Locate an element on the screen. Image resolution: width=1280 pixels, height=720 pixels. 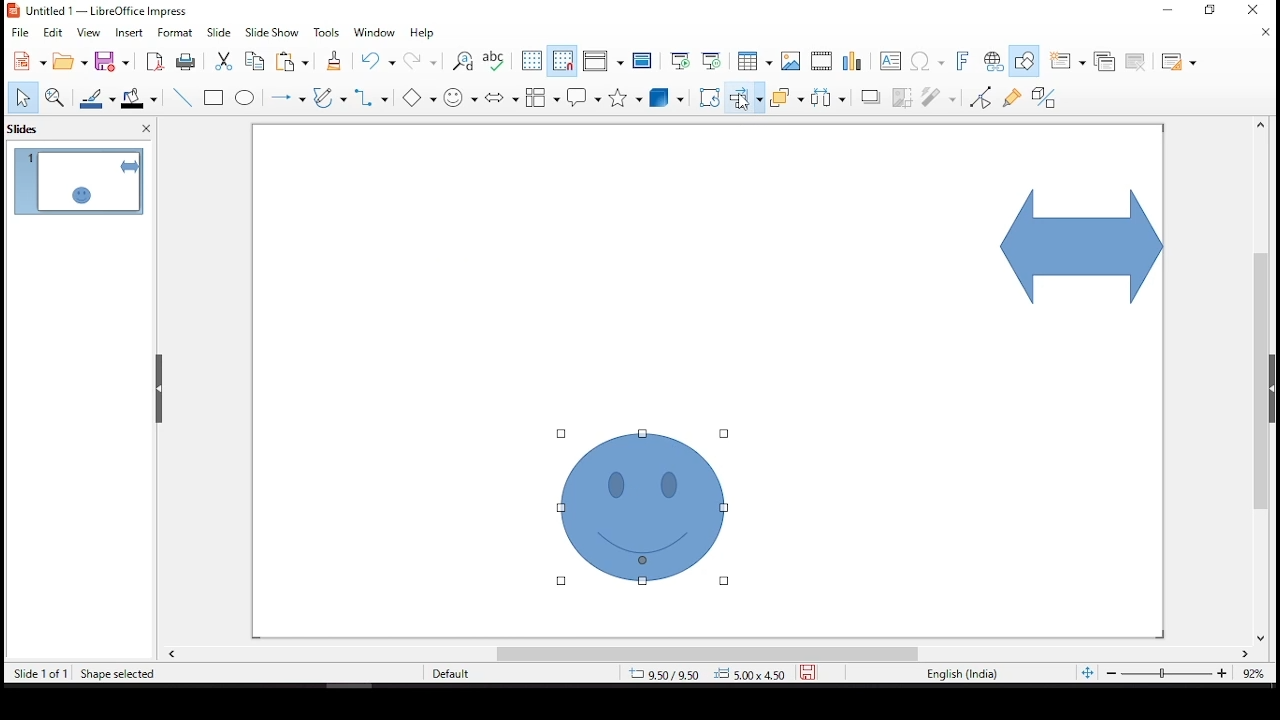
display views is located at coordinates (603, 61).